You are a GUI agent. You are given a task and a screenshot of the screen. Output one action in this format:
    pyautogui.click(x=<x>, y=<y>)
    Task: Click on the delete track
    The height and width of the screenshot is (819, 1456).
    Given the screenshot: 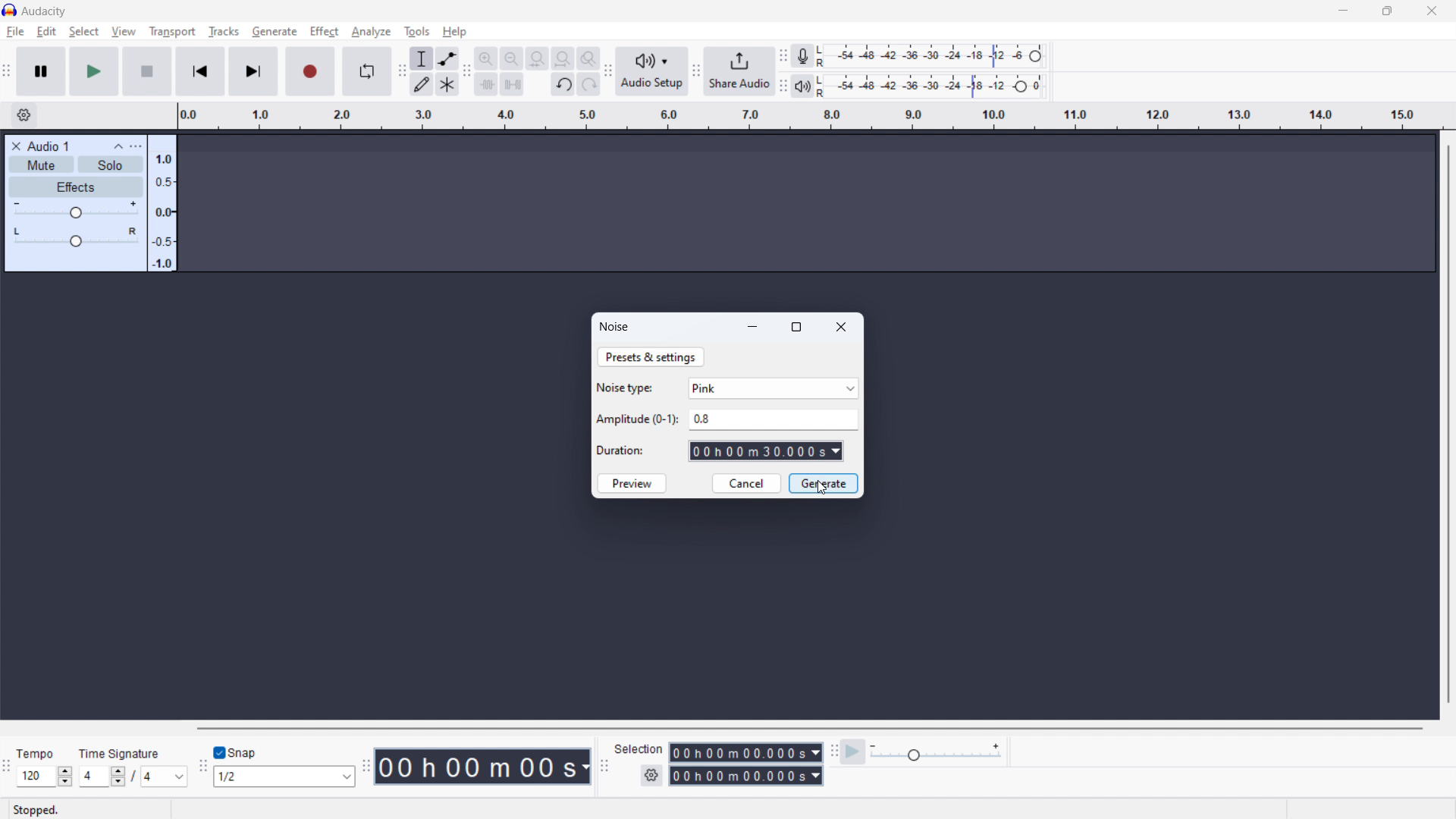 What is the action you would take?
    pyautogui.click(x=16, y=145)
    